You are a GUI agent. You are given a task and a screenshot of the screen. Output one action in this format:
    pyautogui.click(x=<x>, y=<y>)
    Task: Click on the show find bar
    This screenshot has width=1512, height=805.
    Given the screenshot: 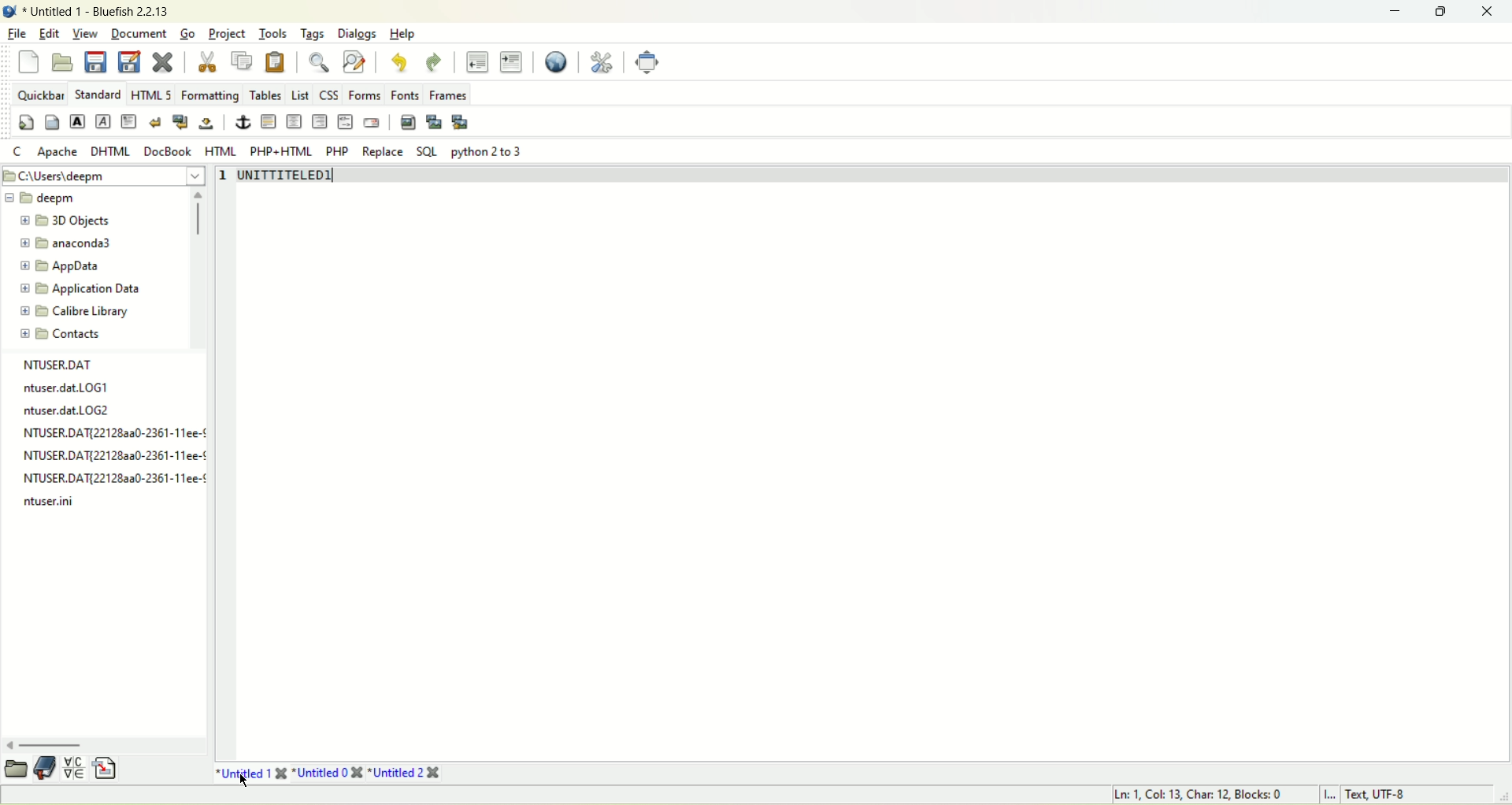 What is the action you would take?
    pyautogui.click(x=317, y=61)
    